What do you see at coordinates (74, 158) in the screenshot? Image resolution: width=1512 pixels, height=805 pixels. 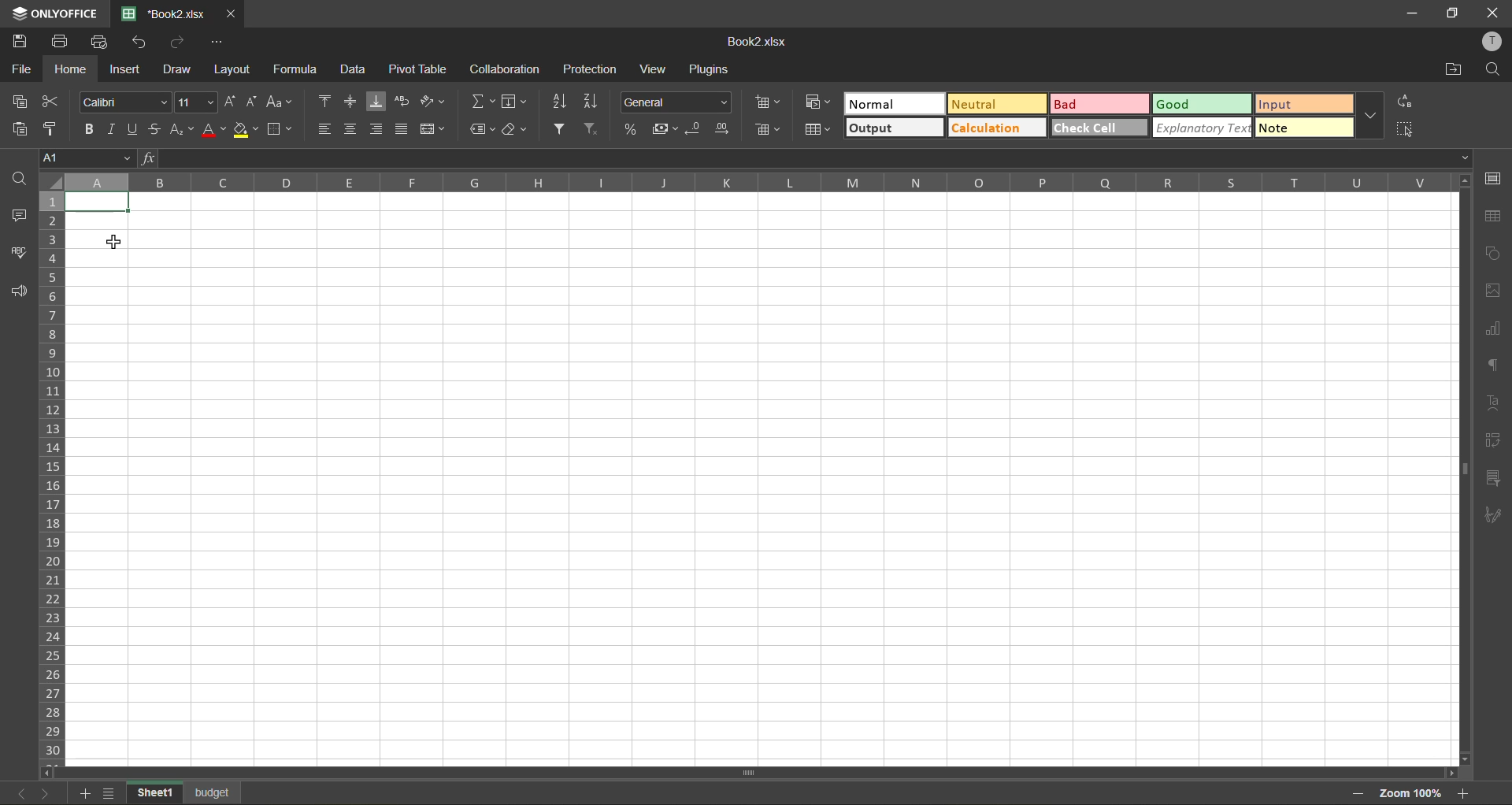 I see `changed cell address` at bounding box center [74, 158].